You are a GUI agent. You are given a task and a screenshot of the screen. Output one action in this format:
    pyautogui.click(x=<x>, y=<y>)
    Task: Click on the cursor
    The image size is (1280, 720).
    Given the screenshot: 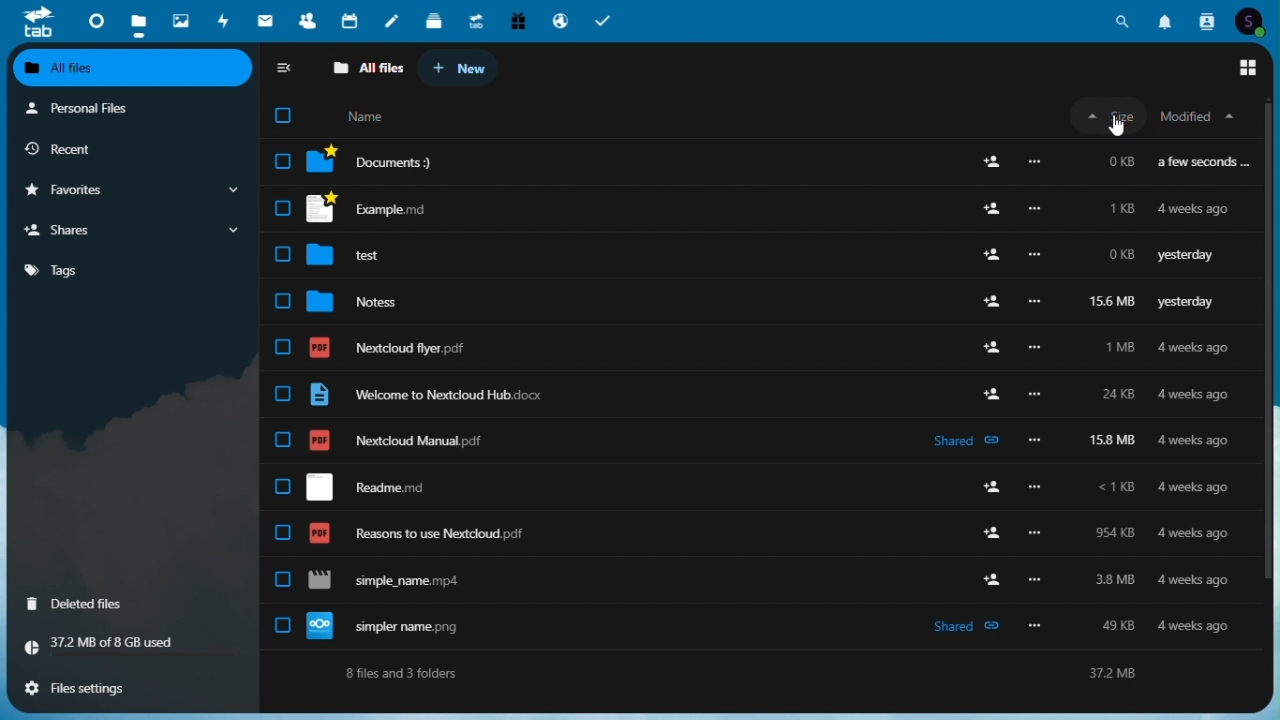 What is the action you would take?
    pyautogui.click(x=1122, y=127)
    